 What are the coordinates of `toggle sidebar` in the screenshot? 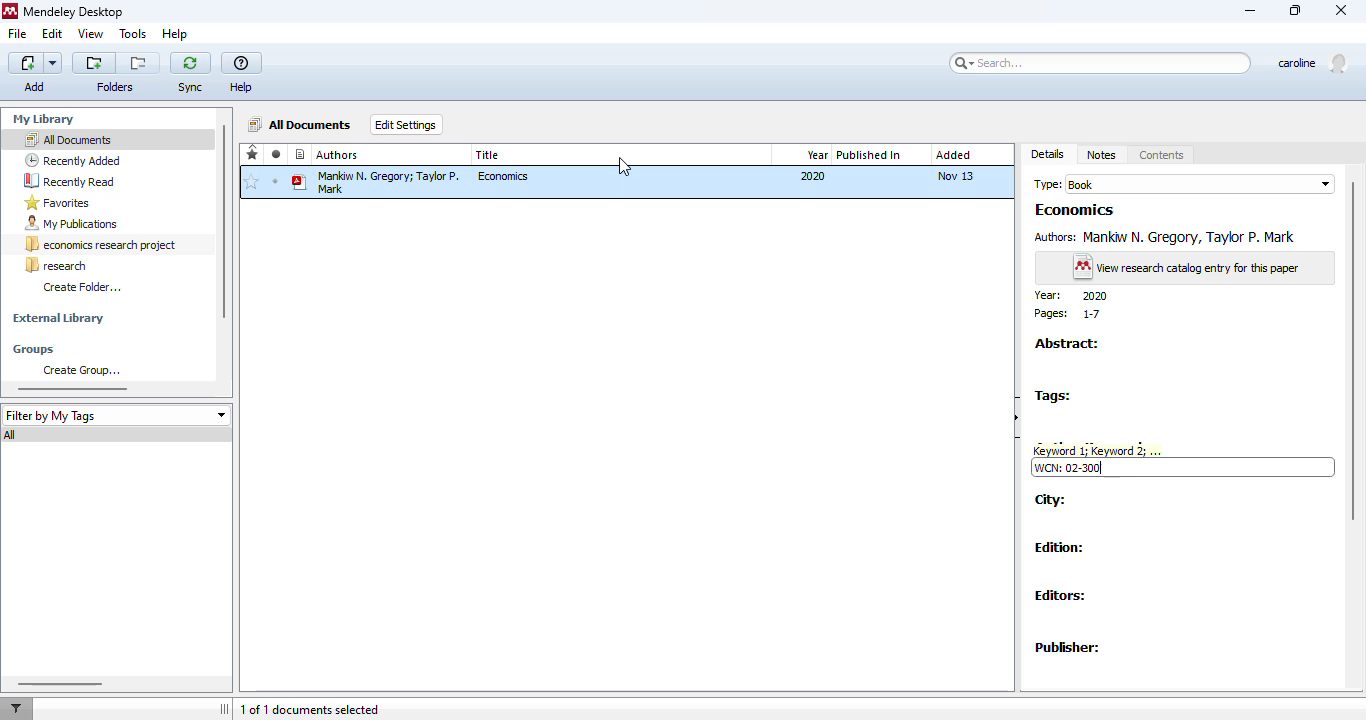 It's located at (225, 708).